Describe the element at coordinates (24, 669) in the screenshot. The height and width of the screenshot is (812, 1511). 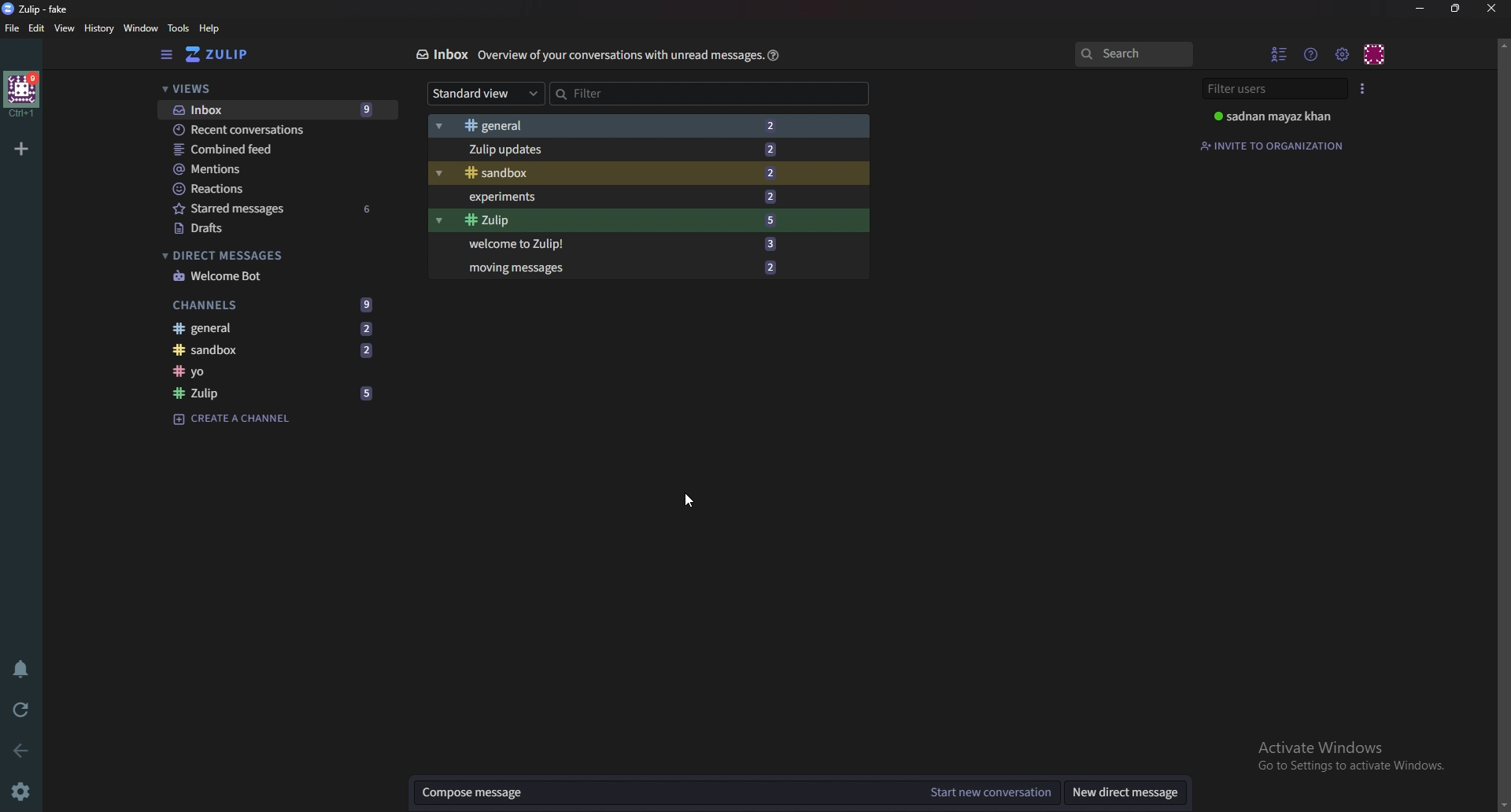
I see `Enable do not disturb` at that location.